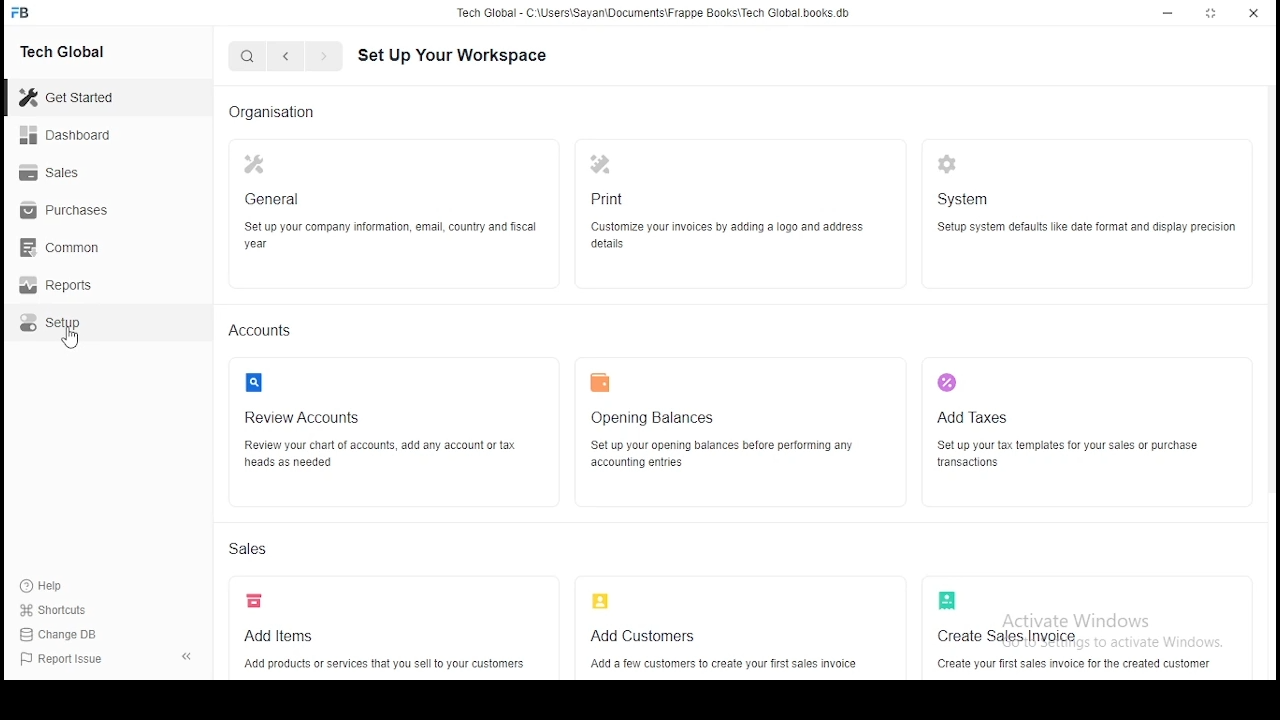  I want to click on go forward , so click(323, 58).